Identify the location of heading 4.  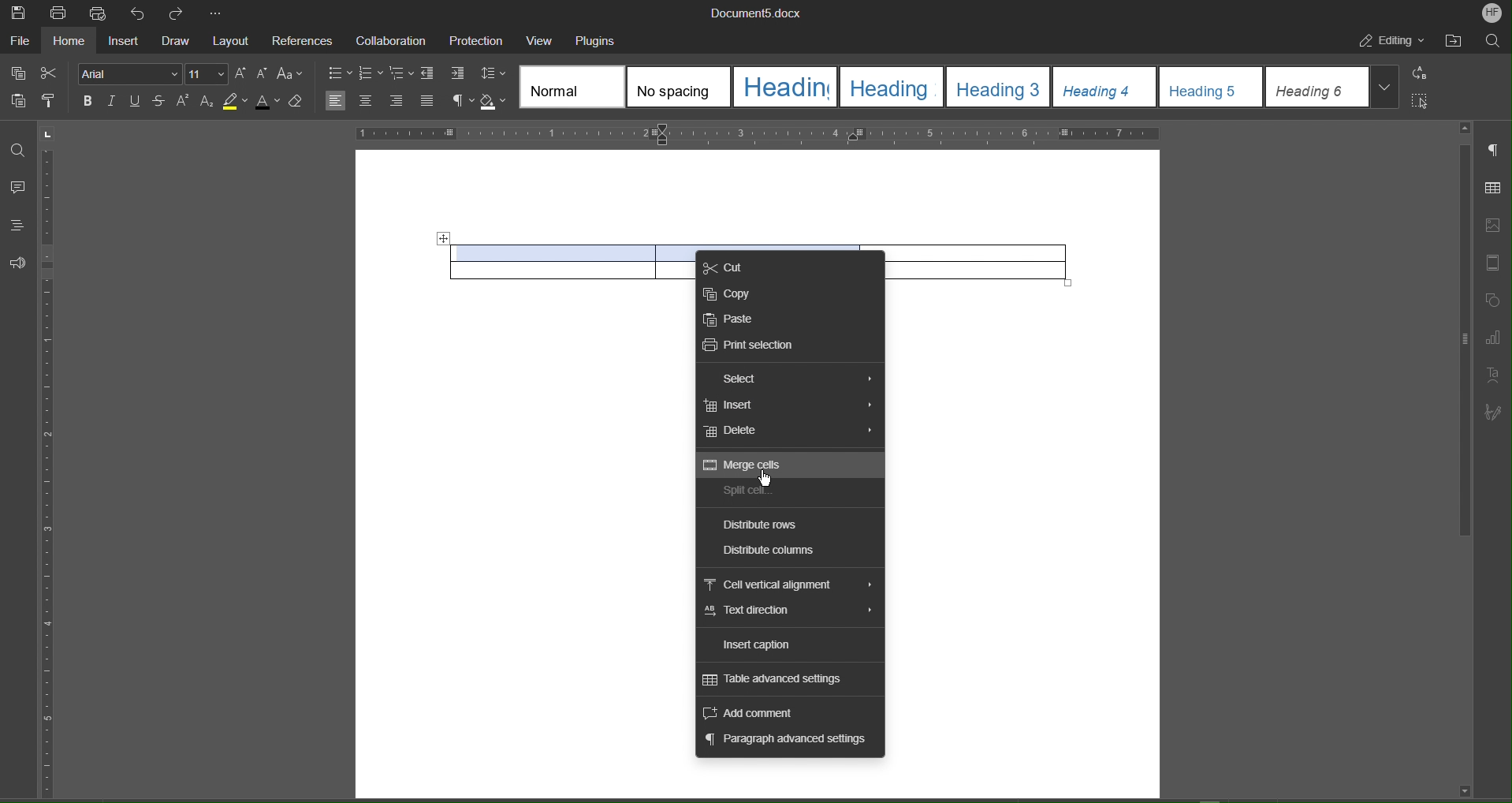
(1105, 87).